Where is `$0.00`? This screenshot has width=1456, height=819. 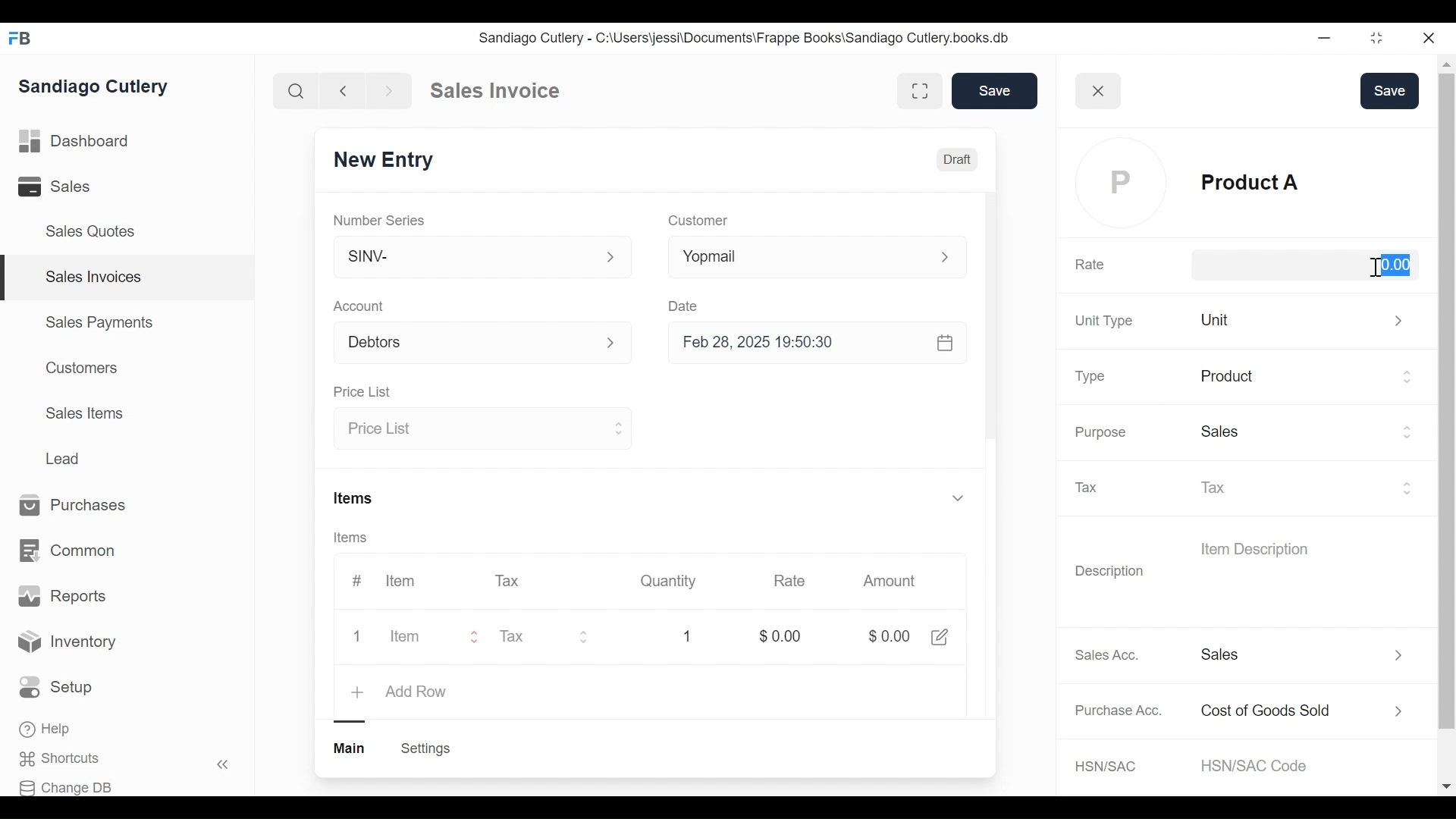
$0.00 is located at coordinates (886, 636).